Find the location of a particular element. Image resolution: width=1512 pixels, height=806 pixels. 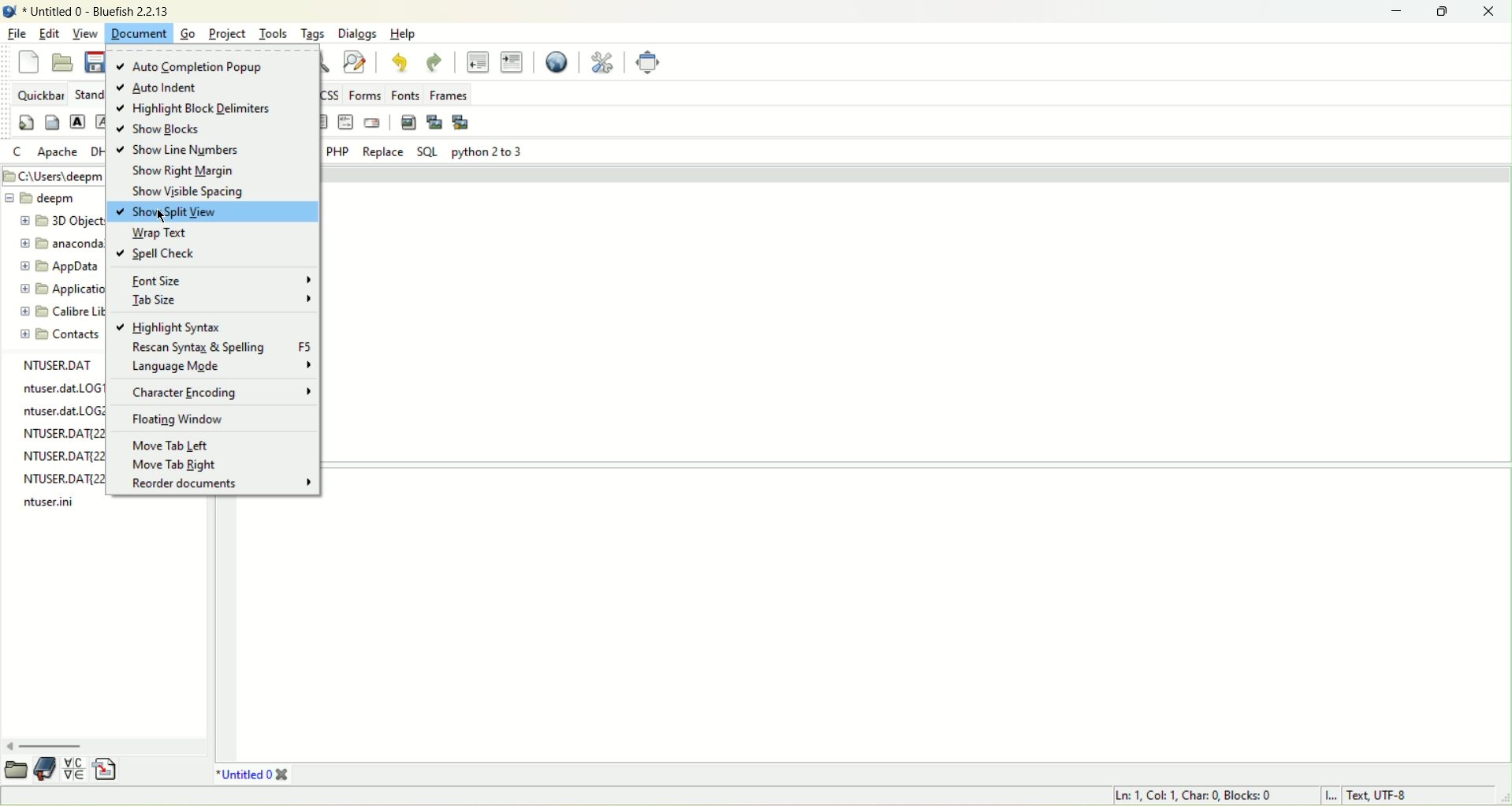

document is located at coordinates (143, 36).